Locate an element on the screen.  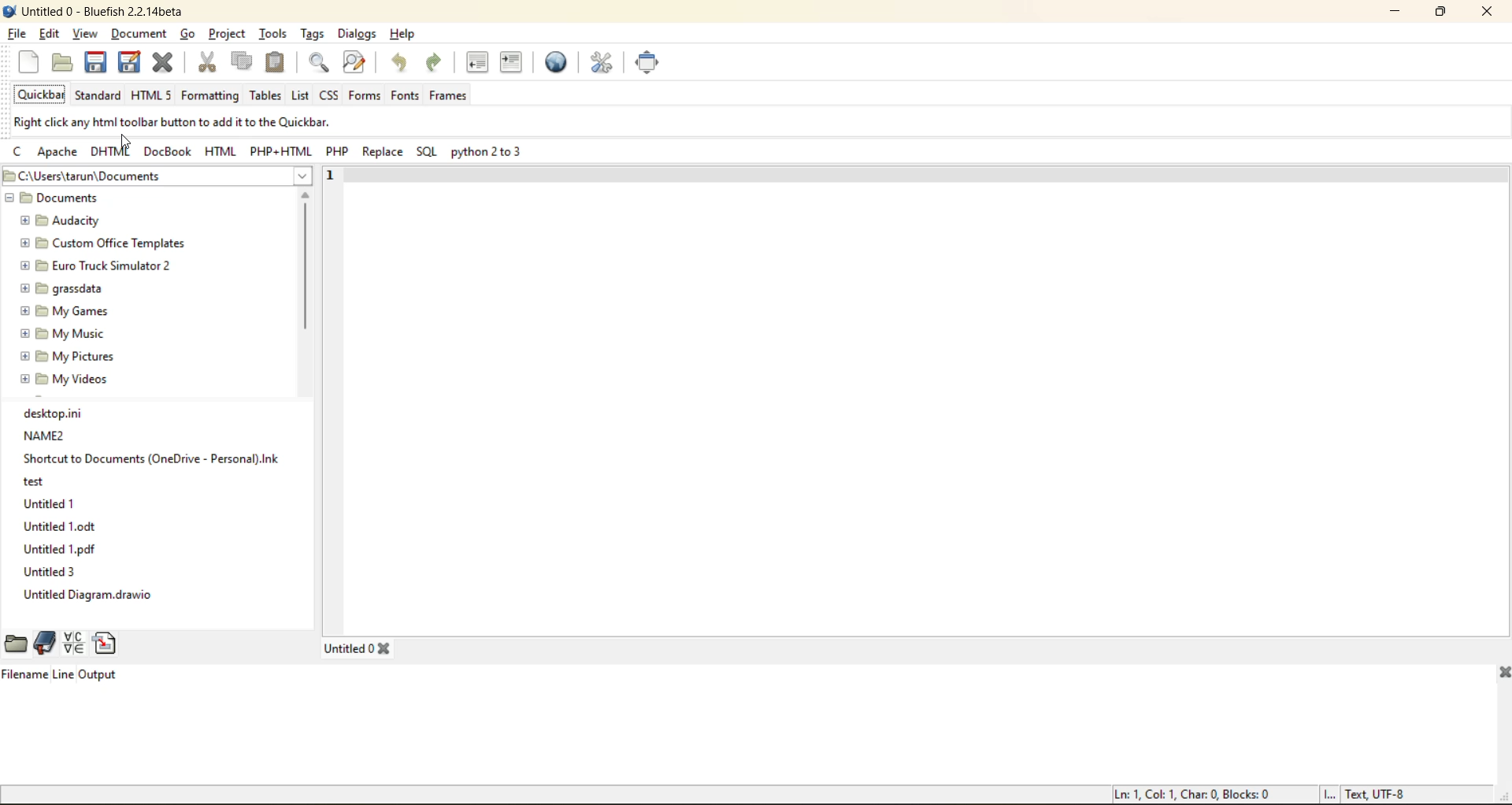
python 2 to 3 is located at coordinates (487, 154).